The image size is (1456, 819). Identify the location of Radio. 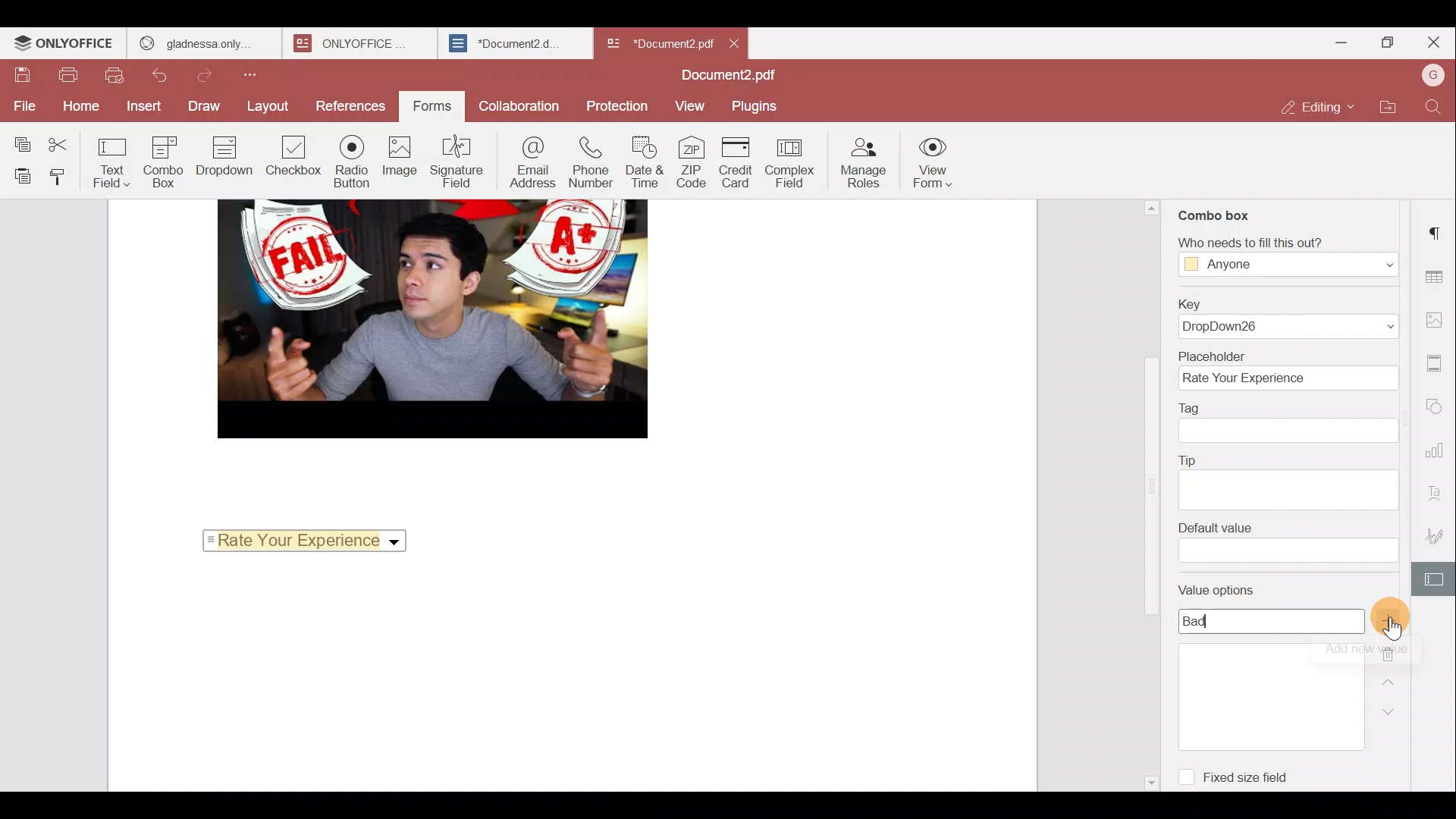
(352, 162).